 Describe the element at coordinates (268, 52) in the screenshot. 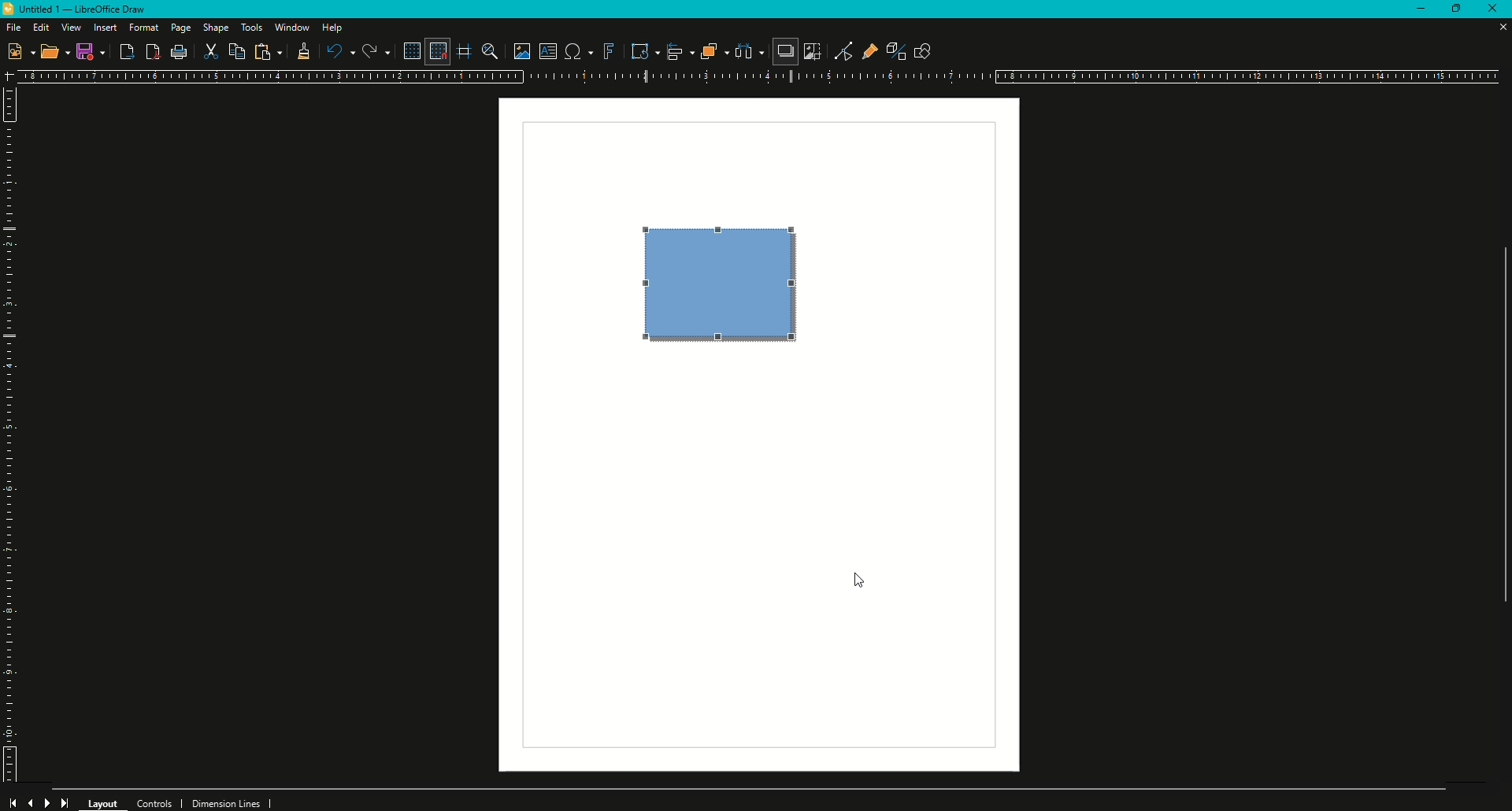

I see `Paste` at that location.